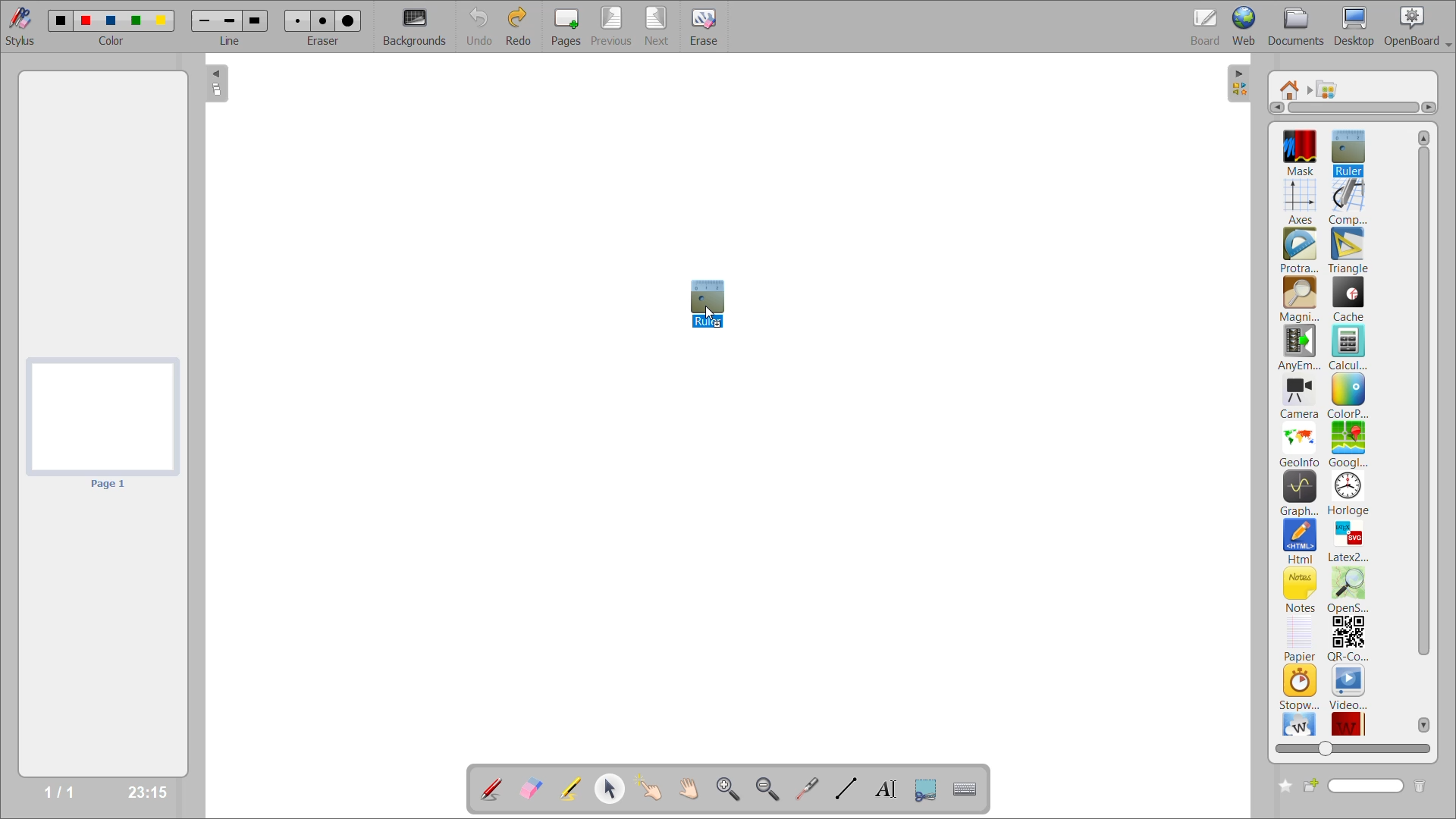  I want to click on name box, so click(1354, 786).